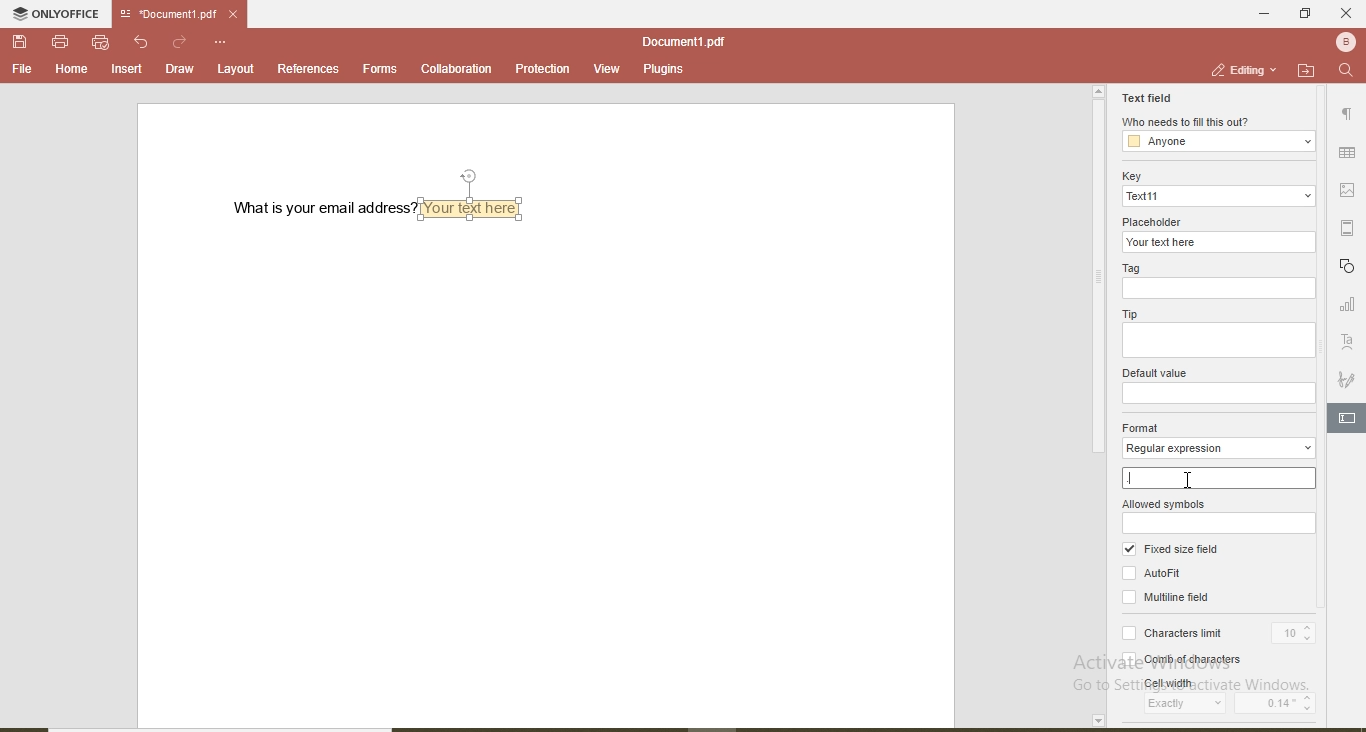  Describe the element at coordinates (235, 726) in the screenshot. I see `horizontal scroll bar` at that location.